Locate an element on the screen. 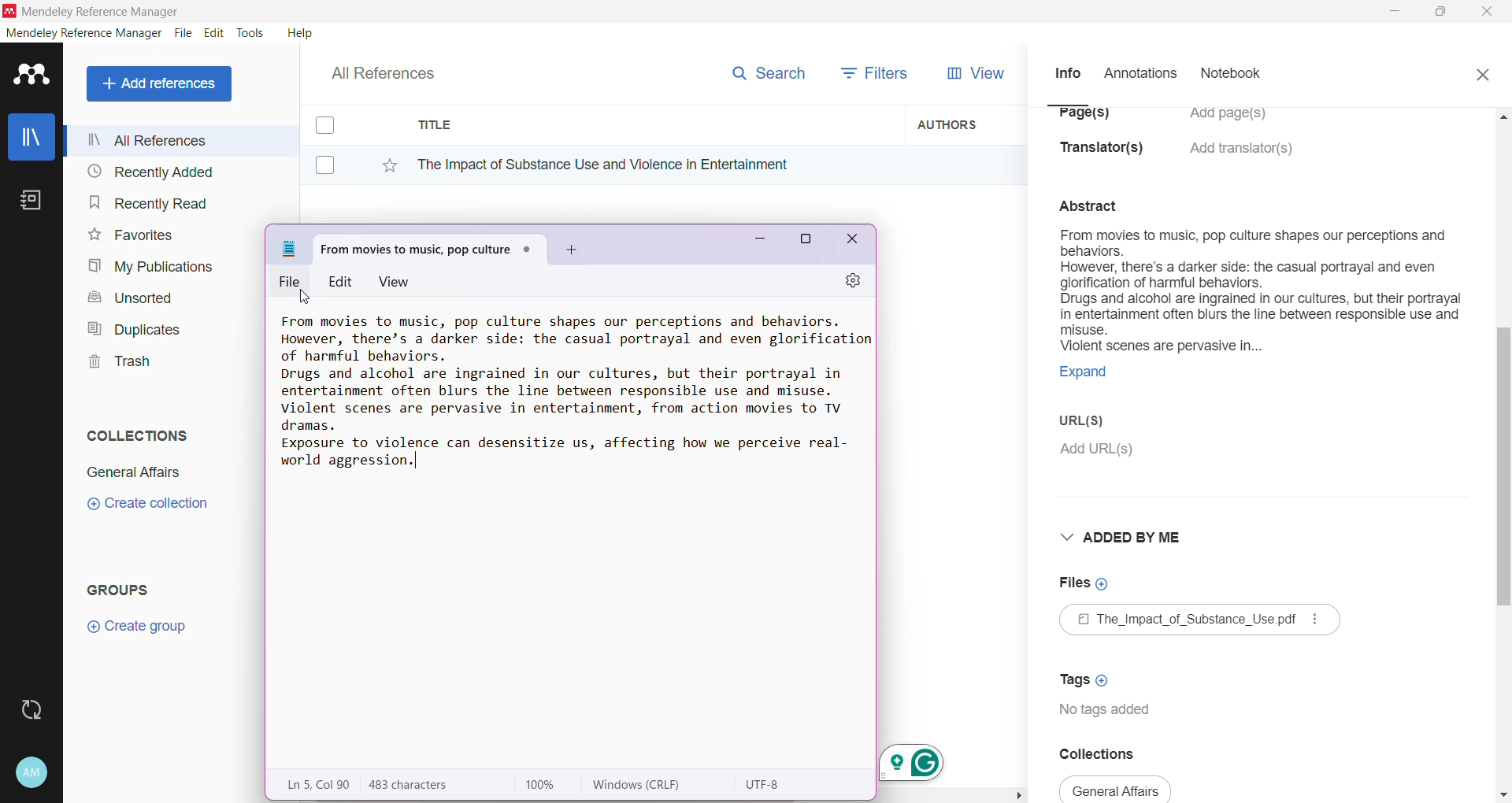  Tools is located at coordinates (251, 33).